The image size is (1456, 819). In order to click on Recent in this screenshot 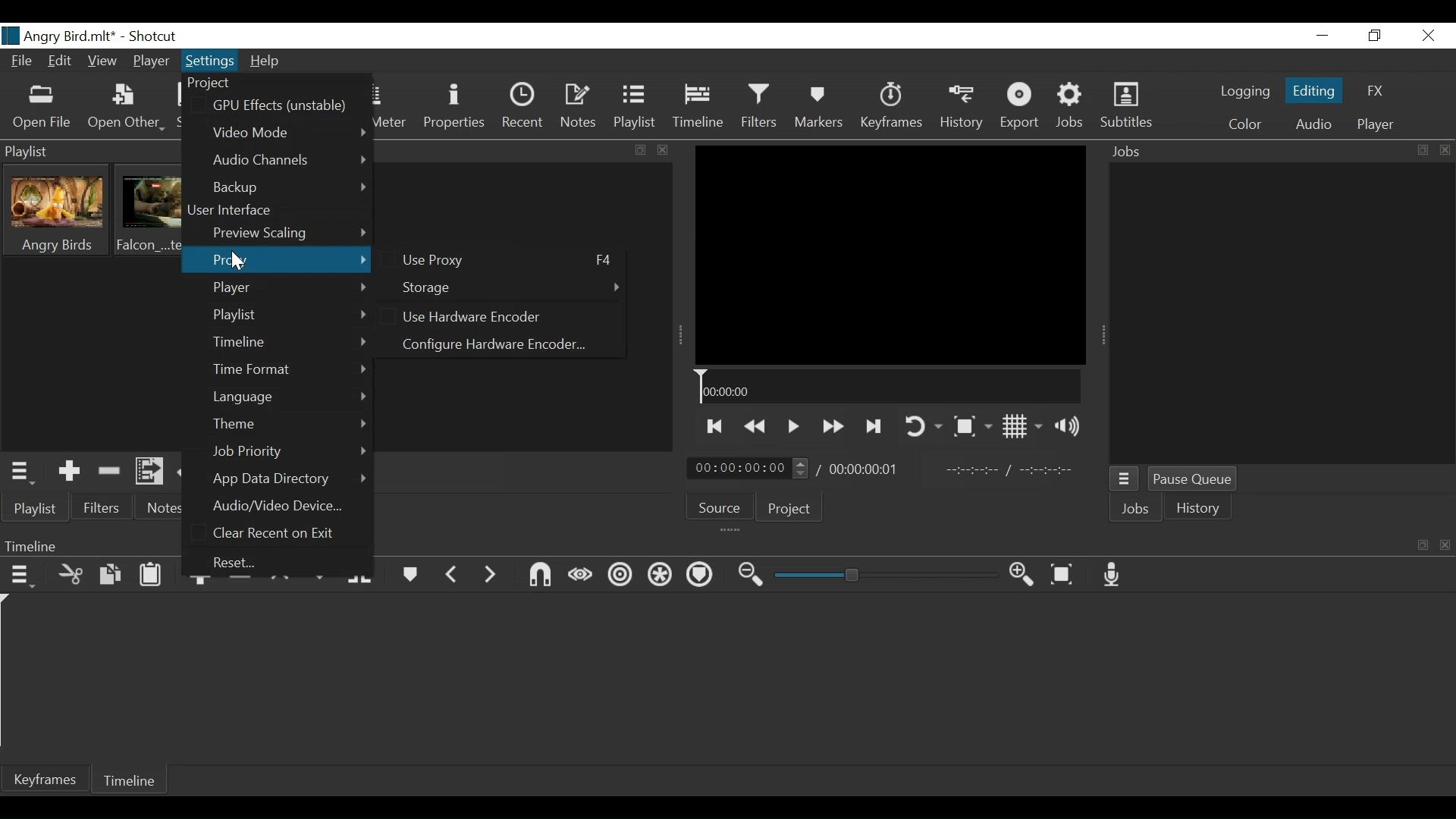, I will do `click(243, 563)`.